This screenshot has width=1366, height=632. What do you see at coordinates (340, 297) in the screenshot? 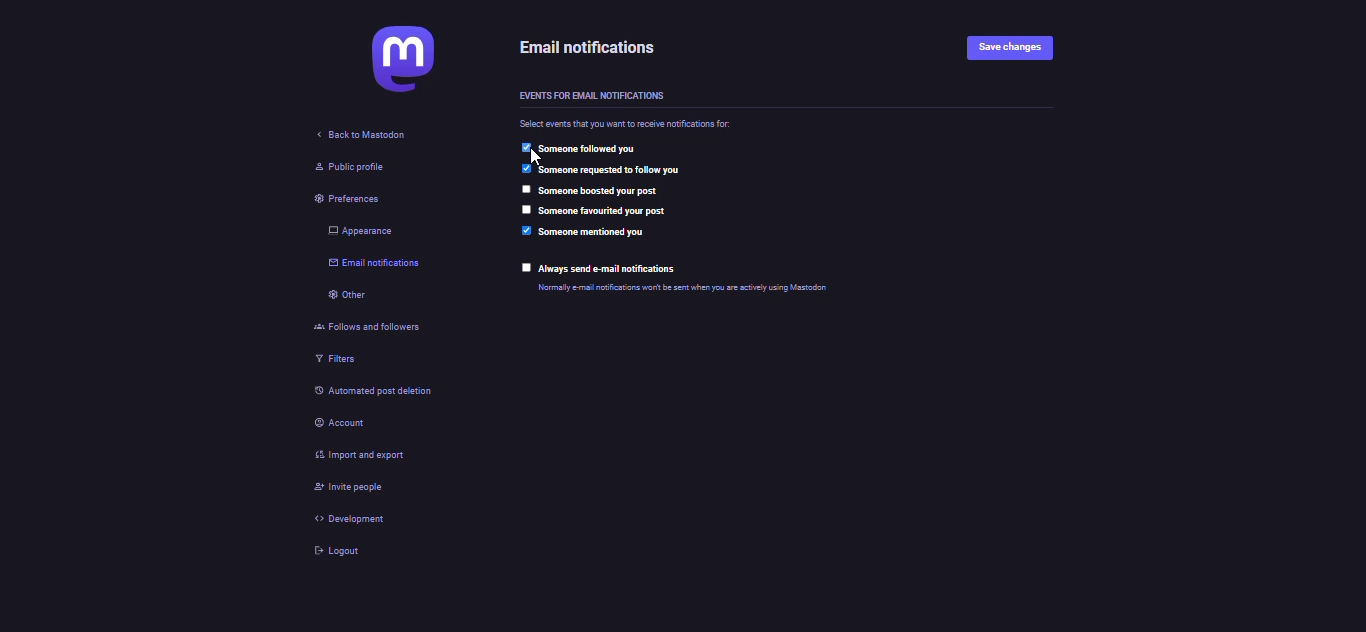
I see `other` at bounding box center [340, 297].